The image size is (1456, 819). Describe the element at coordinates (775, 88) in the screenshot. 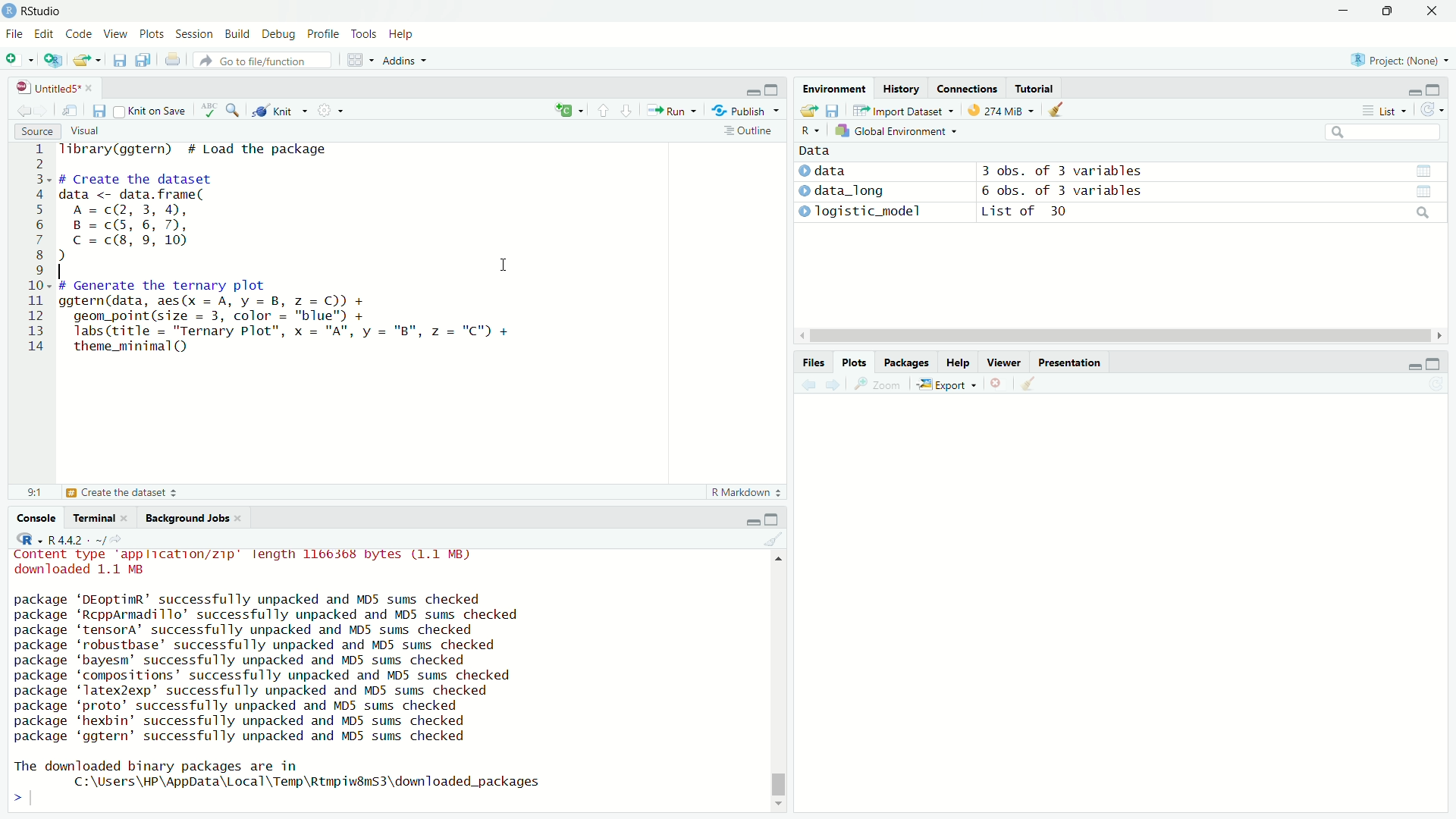

I see `maximise` at that location.